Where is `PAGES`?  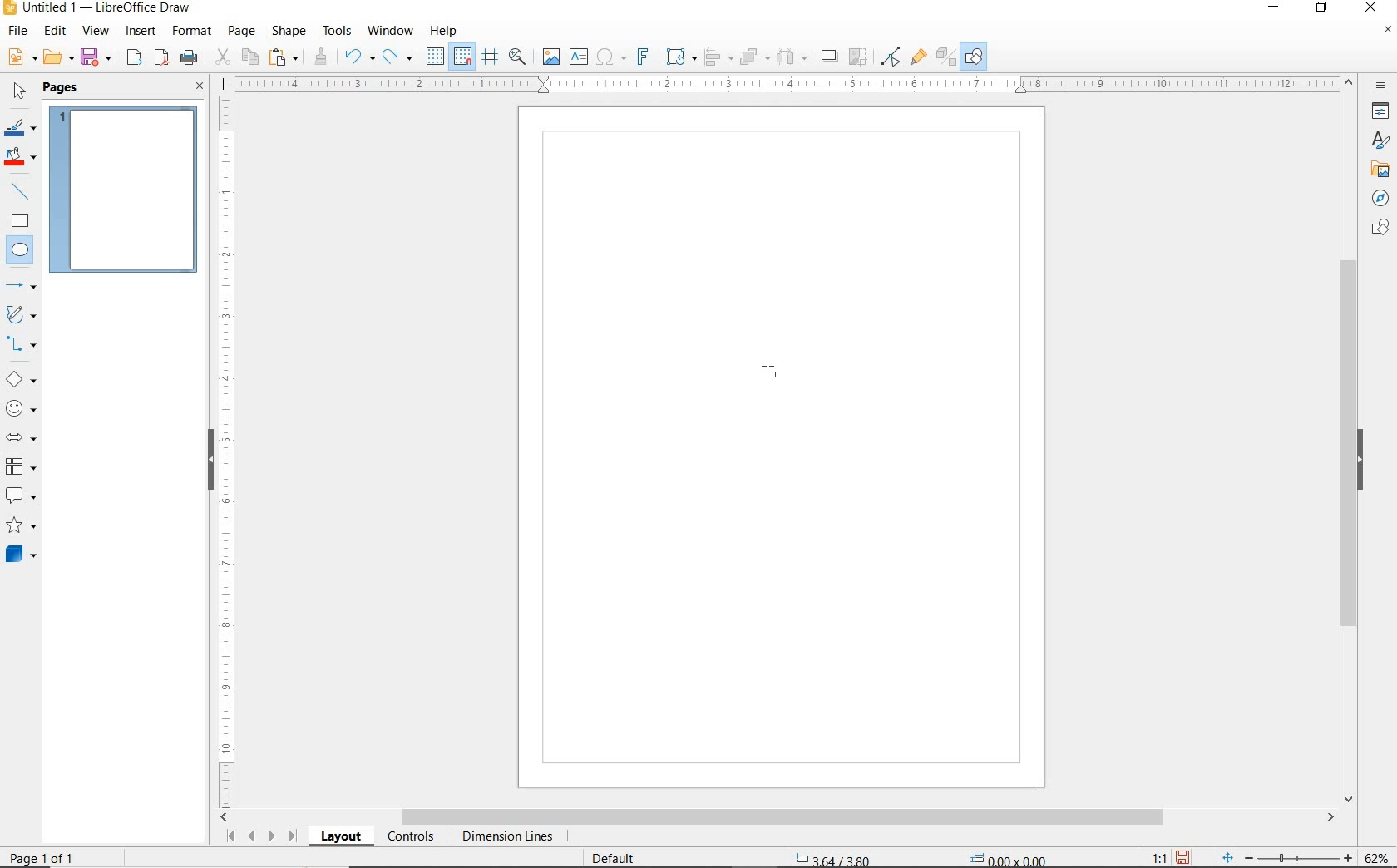
PAGES is located at coordinates (62, 87).